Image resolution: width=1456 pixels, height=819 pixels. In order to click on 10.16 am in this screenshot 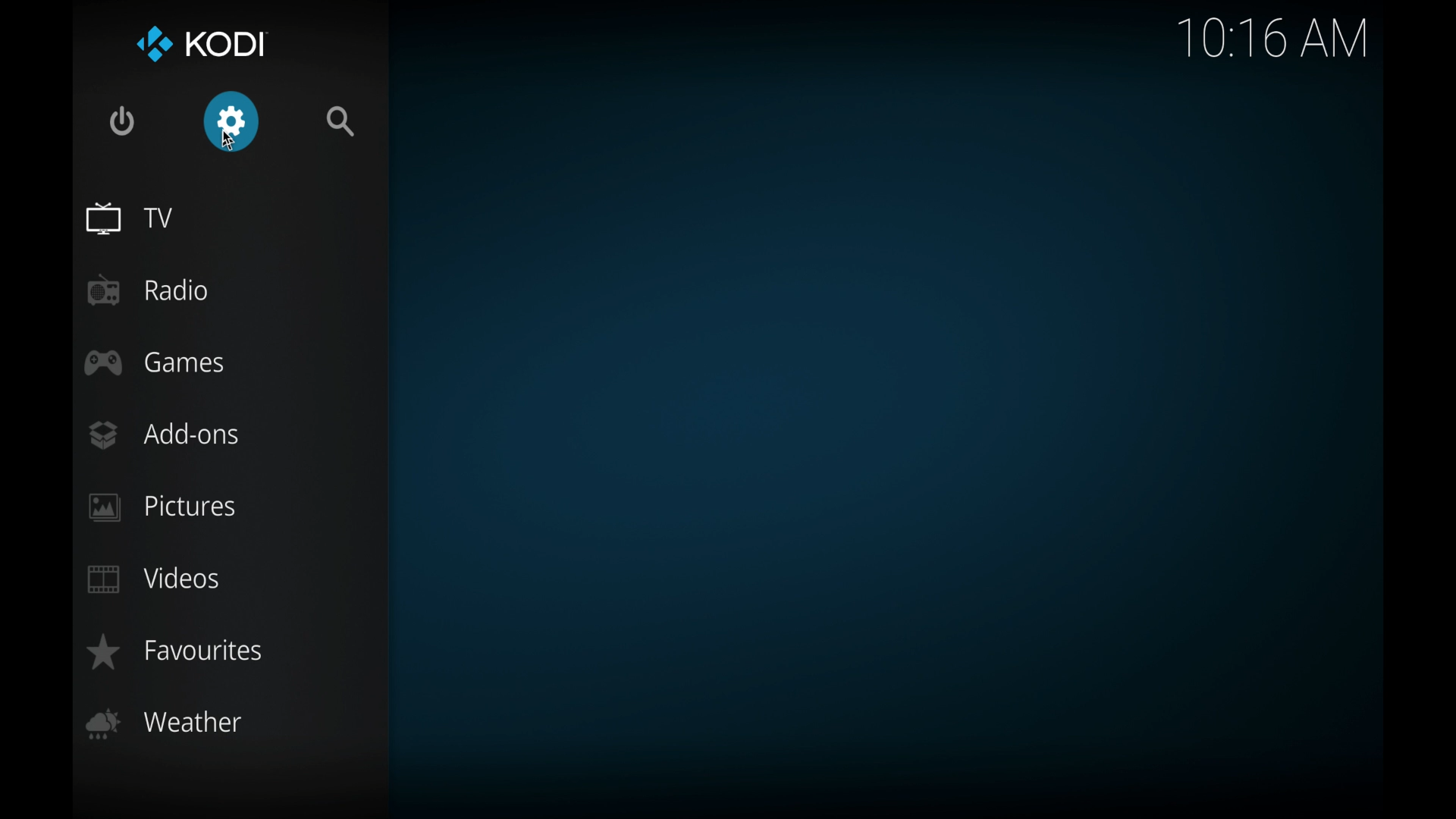, I will do `click(1275, 39)`.